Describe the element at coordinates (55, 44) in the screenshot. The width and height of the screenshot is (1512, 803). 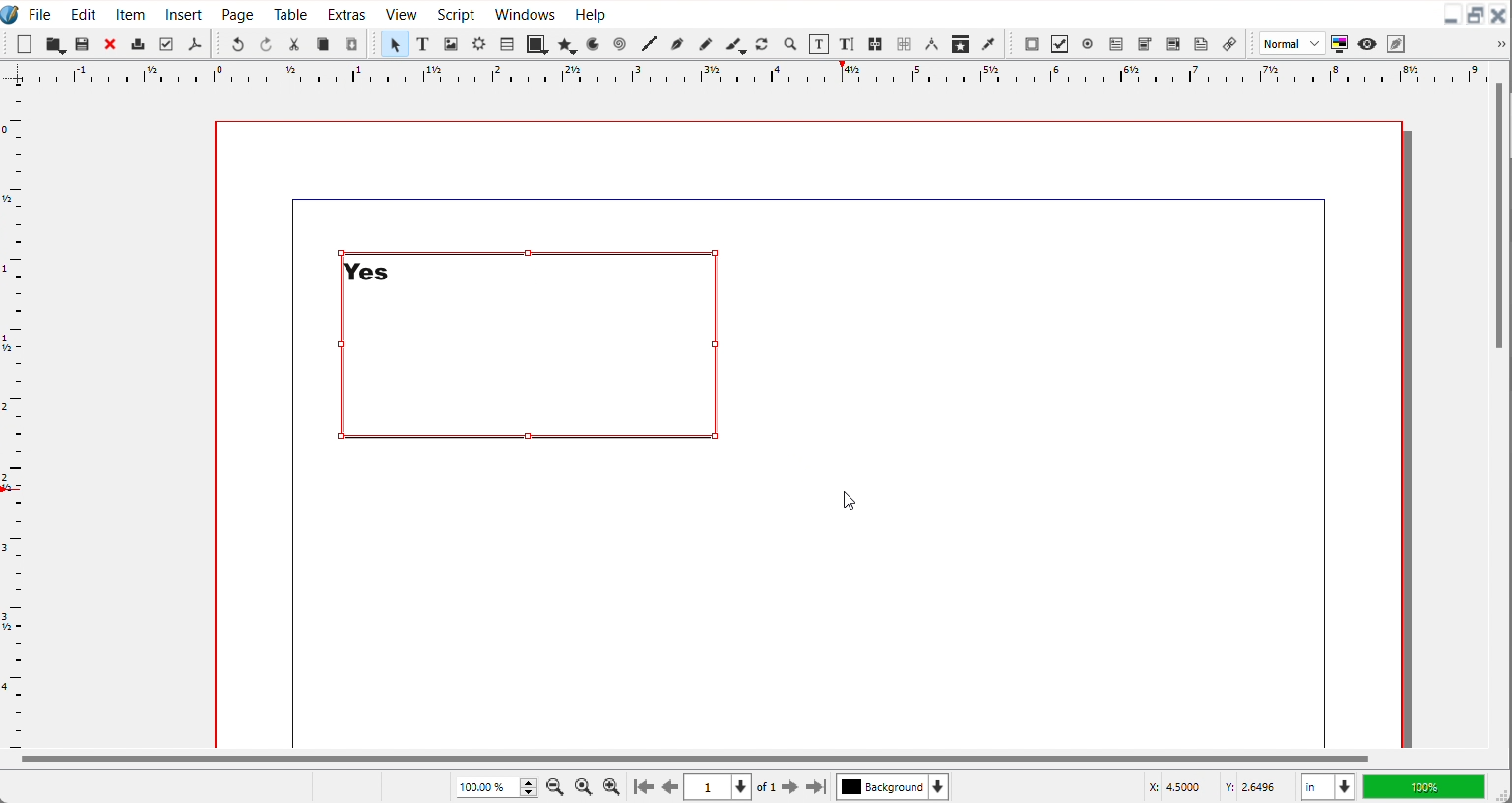
I see `Save` at that location.